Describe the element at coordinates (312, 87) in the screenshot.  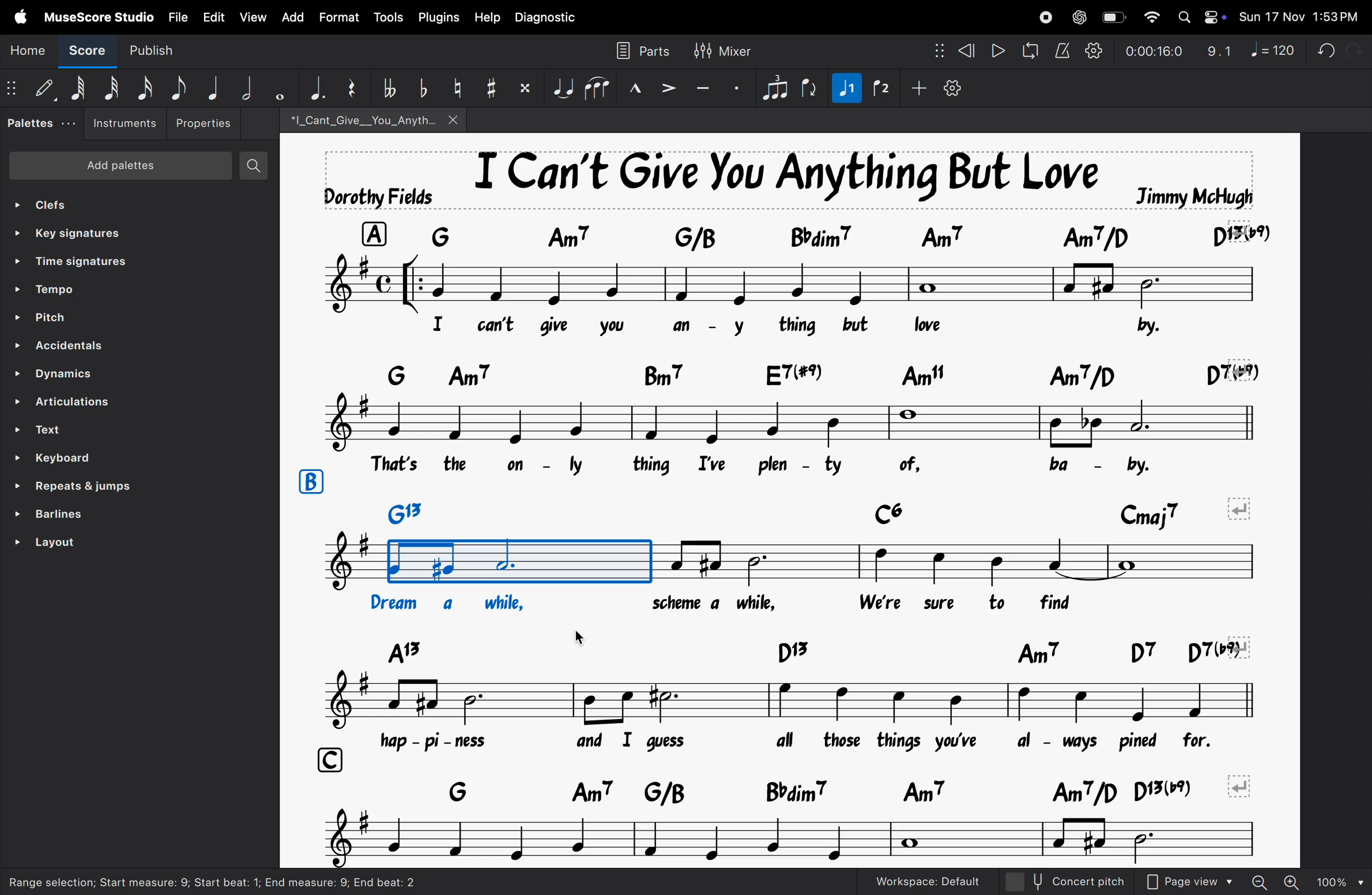
I see ` aggumentation dot` at that location.